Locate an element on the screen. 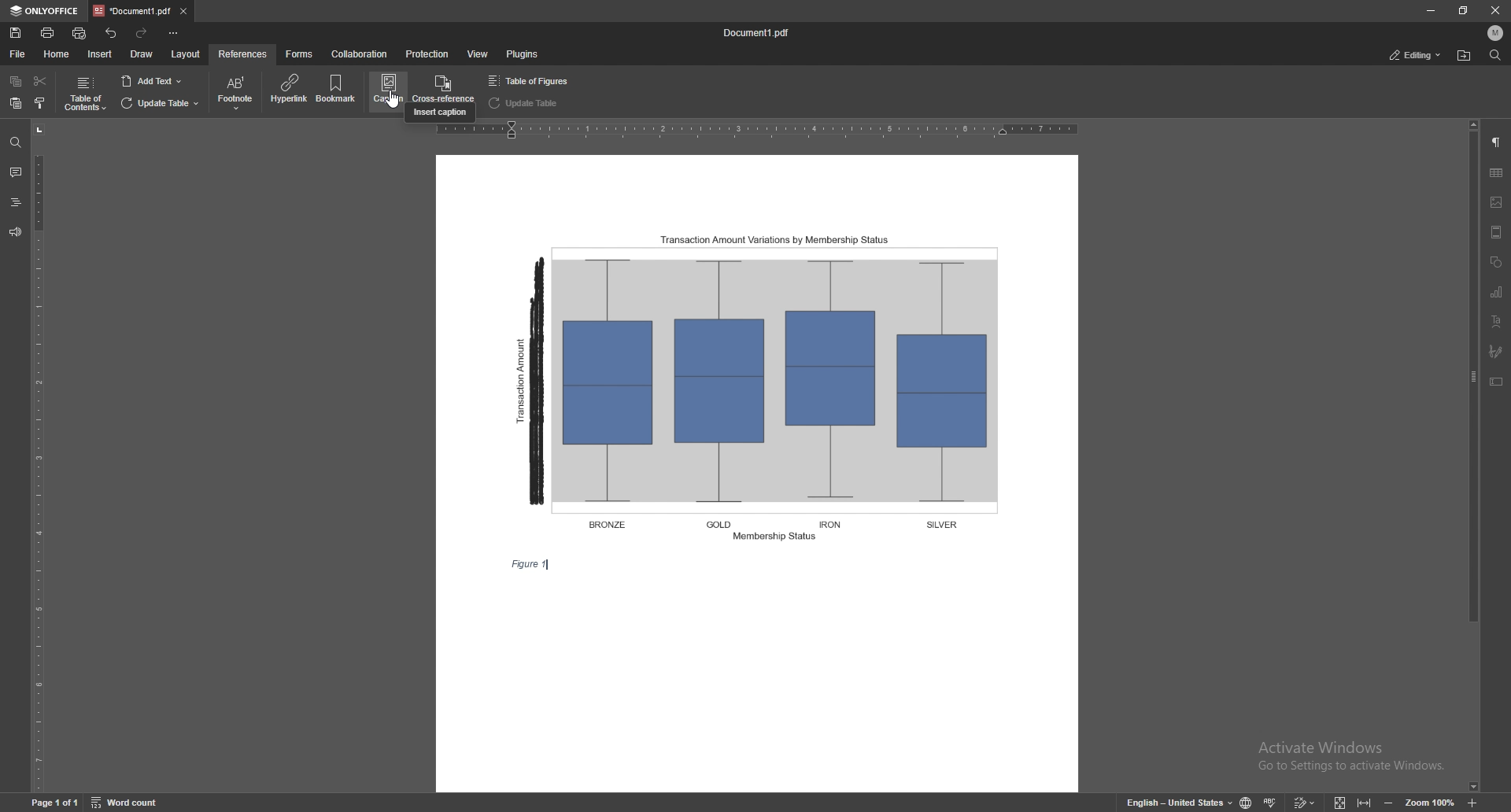  cursor description is located at coordinates (441, 113).